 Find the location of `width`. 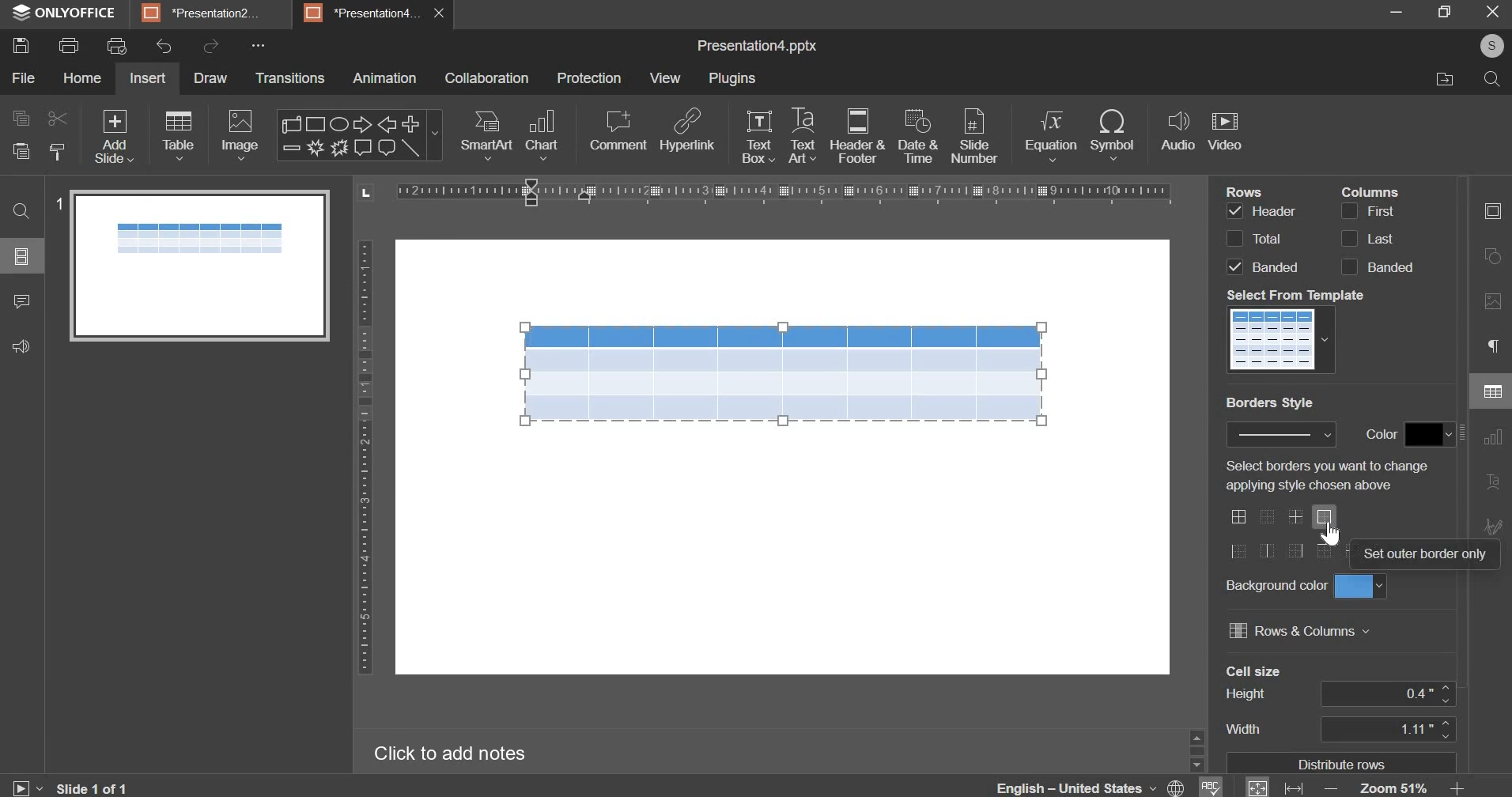

width is located at coordinates (1242, 729).